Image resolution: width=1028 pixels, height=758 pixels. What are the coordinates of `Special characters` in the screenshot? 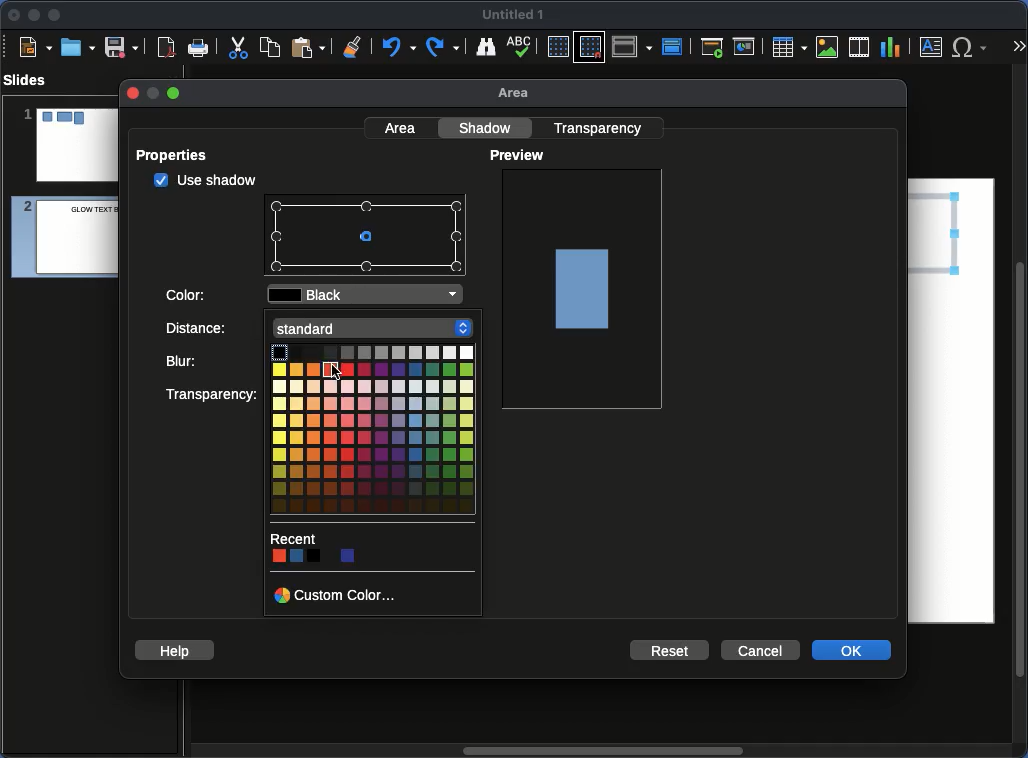 It's located at (974, 47).